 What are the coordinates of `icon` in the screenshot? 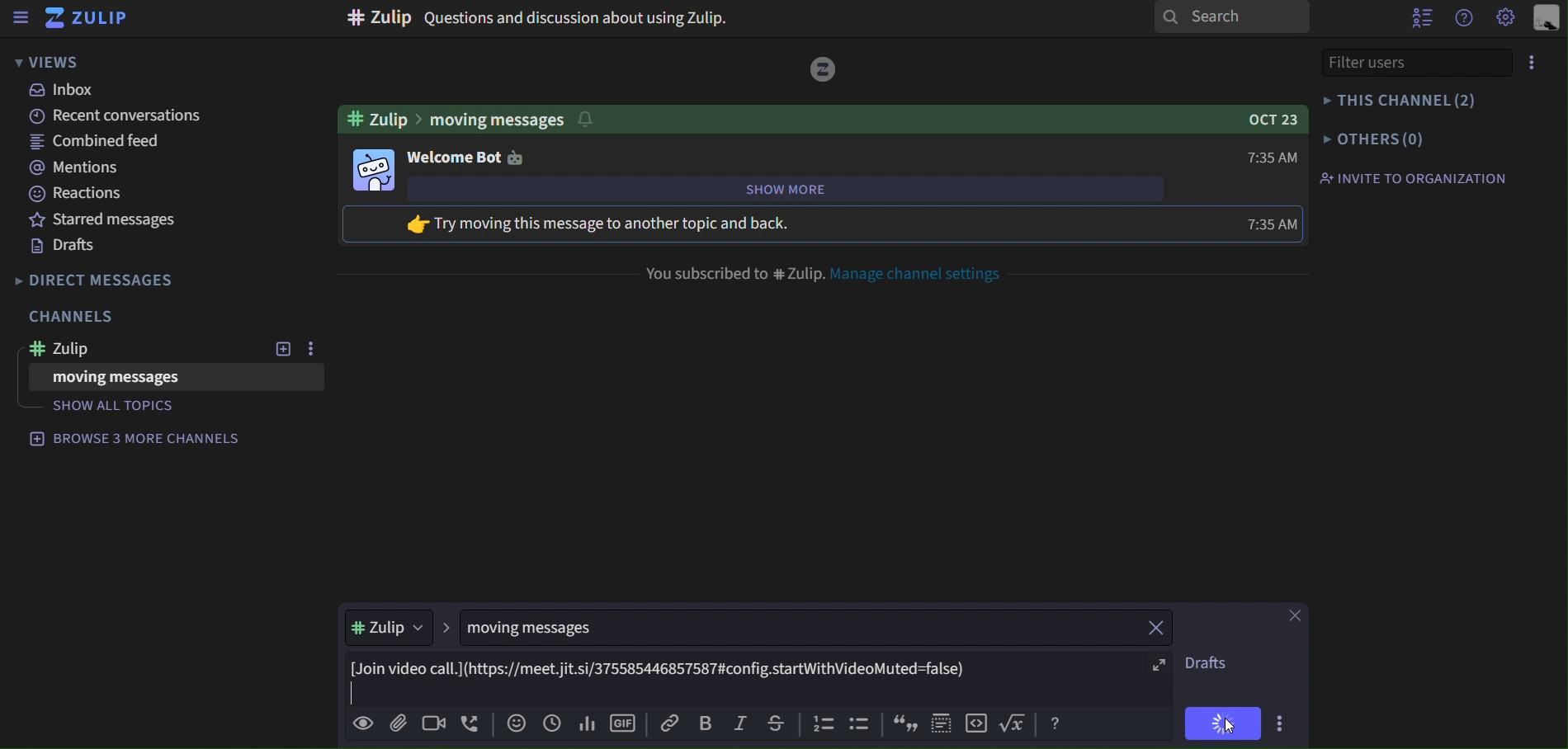 It's located at (976, 723).